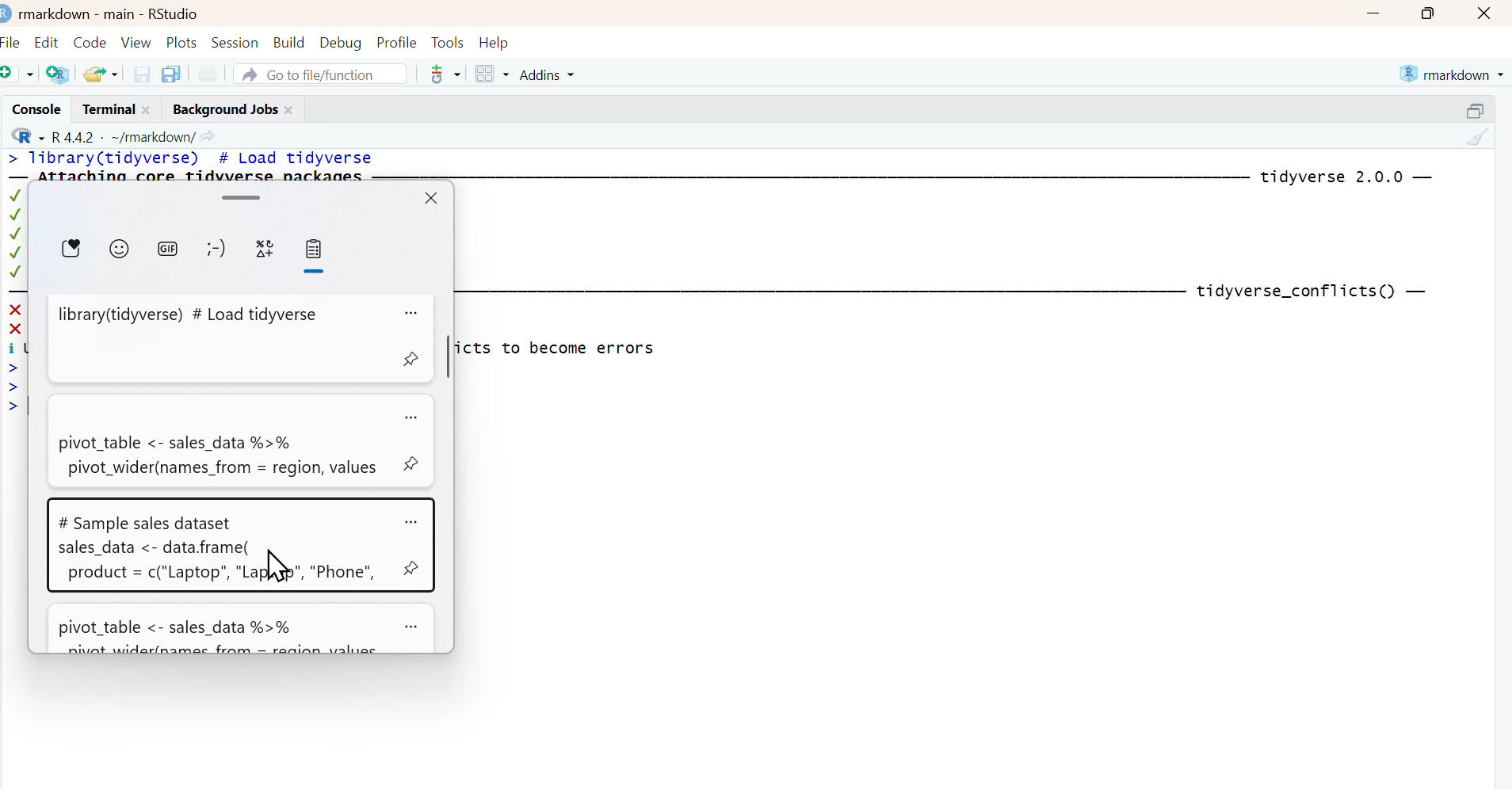  What do you see at coordinates (292, 108) in the screenshot?
I see `close` at bounding box center [292, 108].